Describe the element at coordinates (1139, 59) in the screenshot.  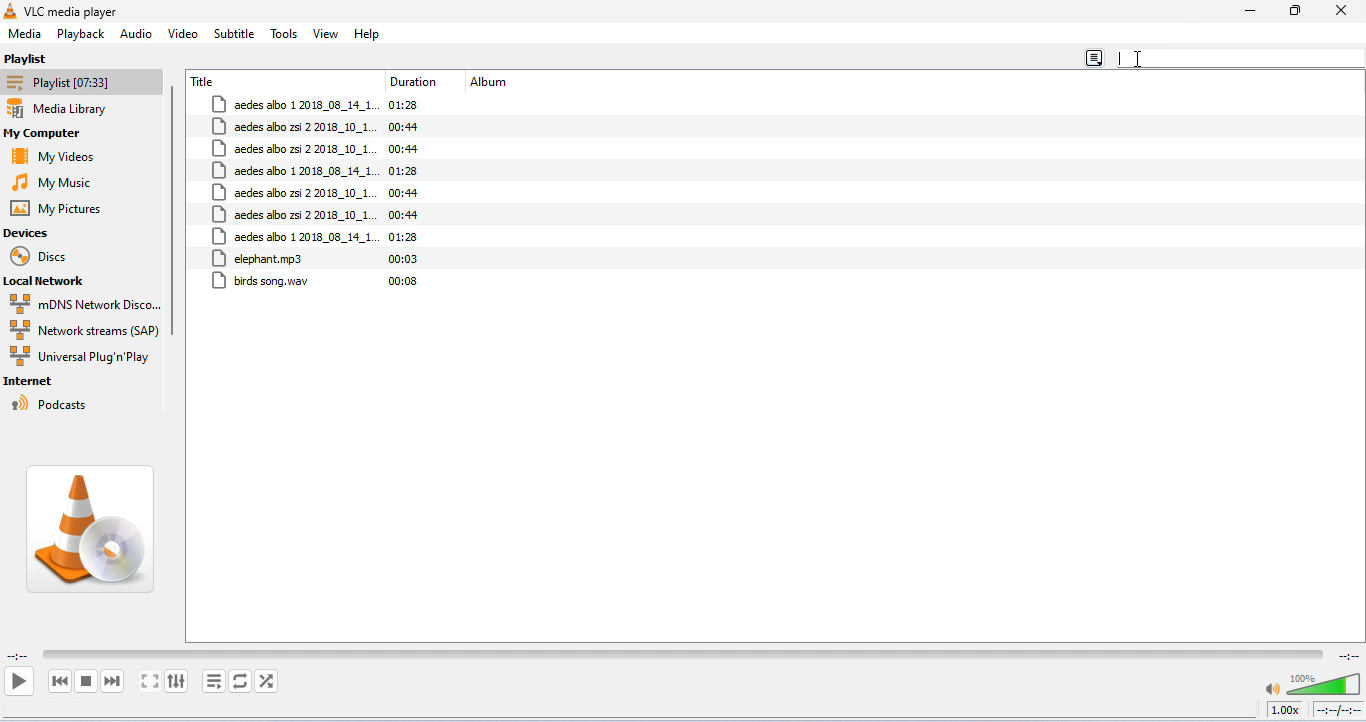
I see `Cursor Position` at that location.